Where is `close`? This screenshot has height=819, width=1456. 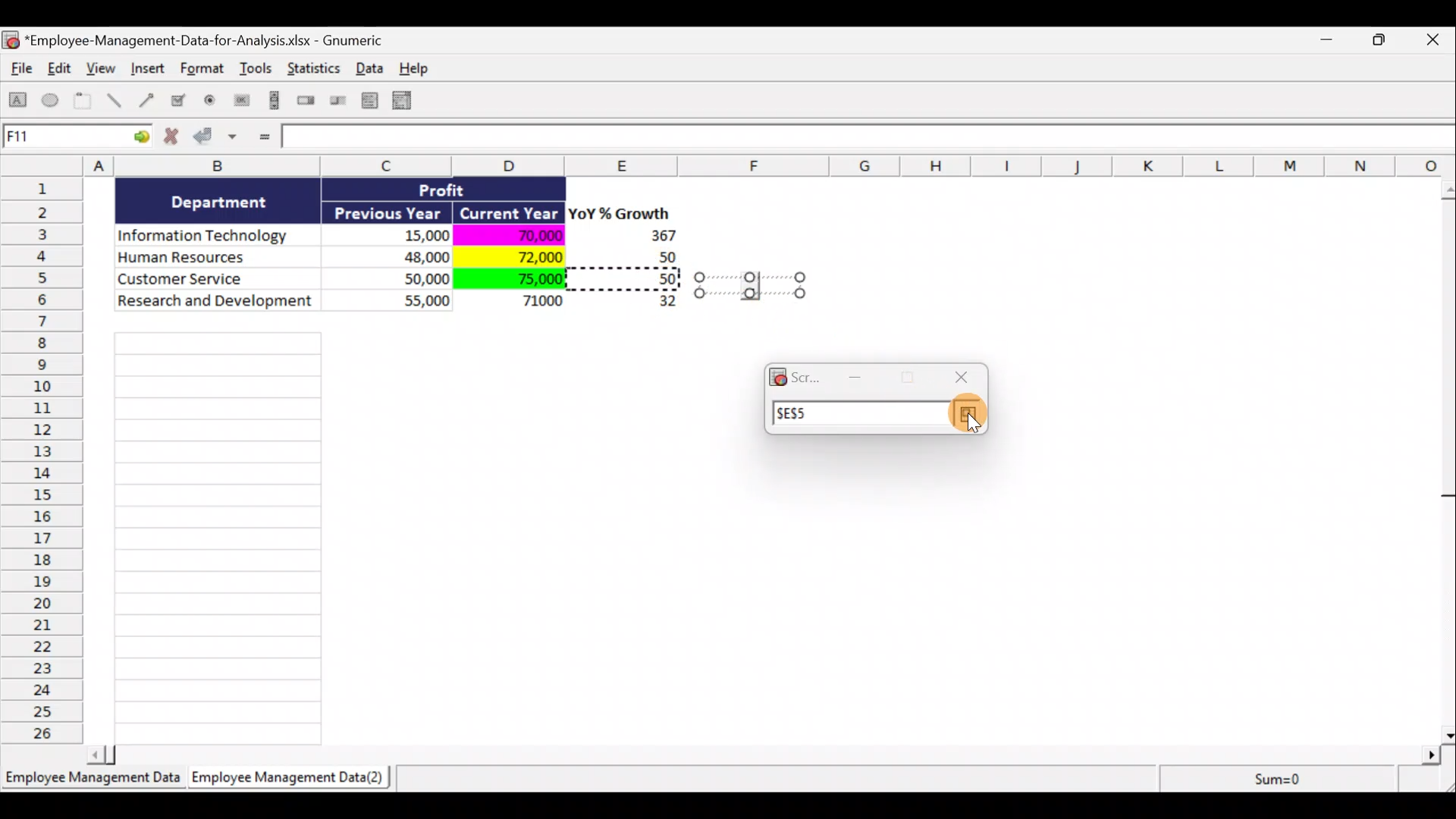 close is located at coordinates (962, 378).